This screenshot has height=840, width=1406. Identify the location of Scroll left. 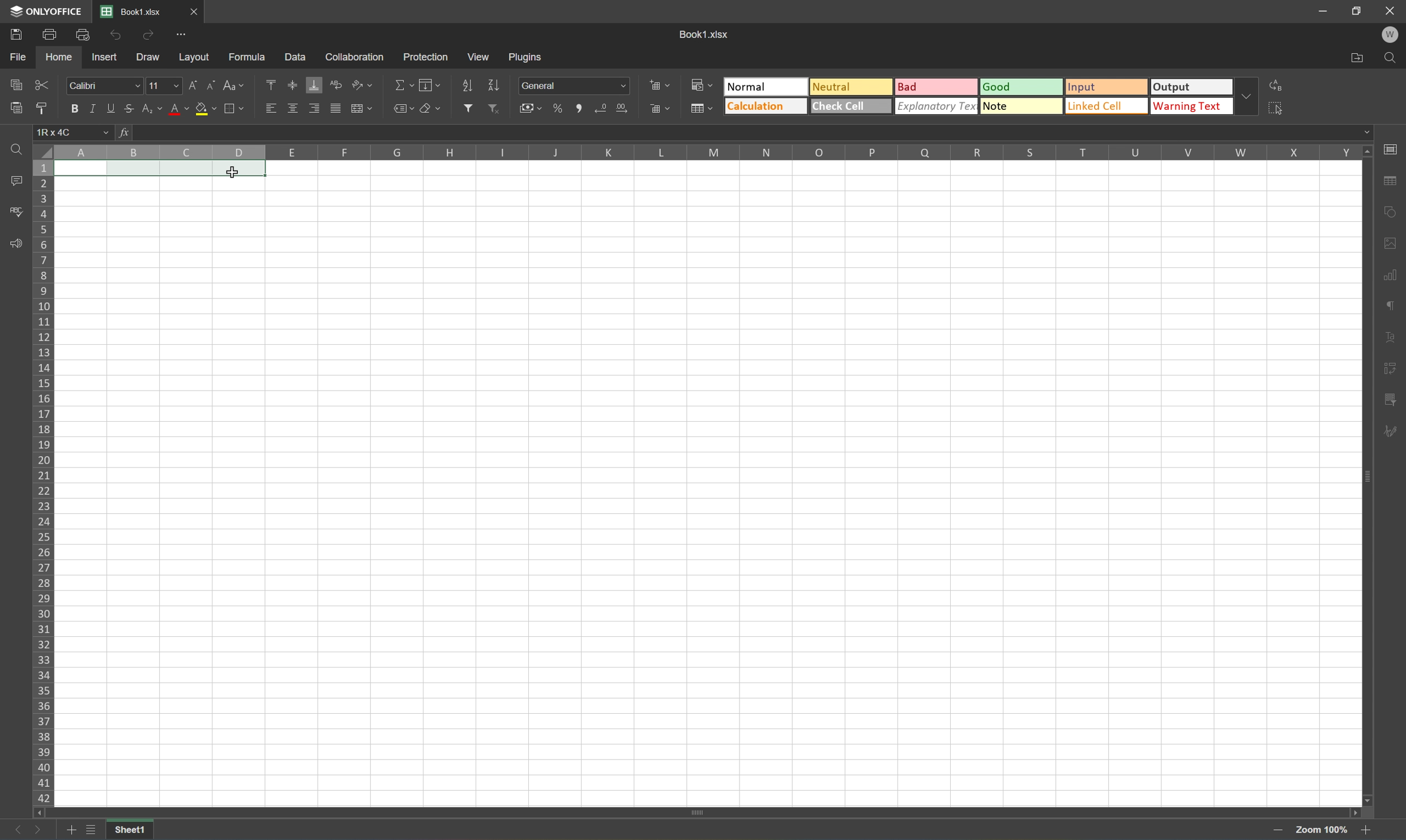
(39, 813).